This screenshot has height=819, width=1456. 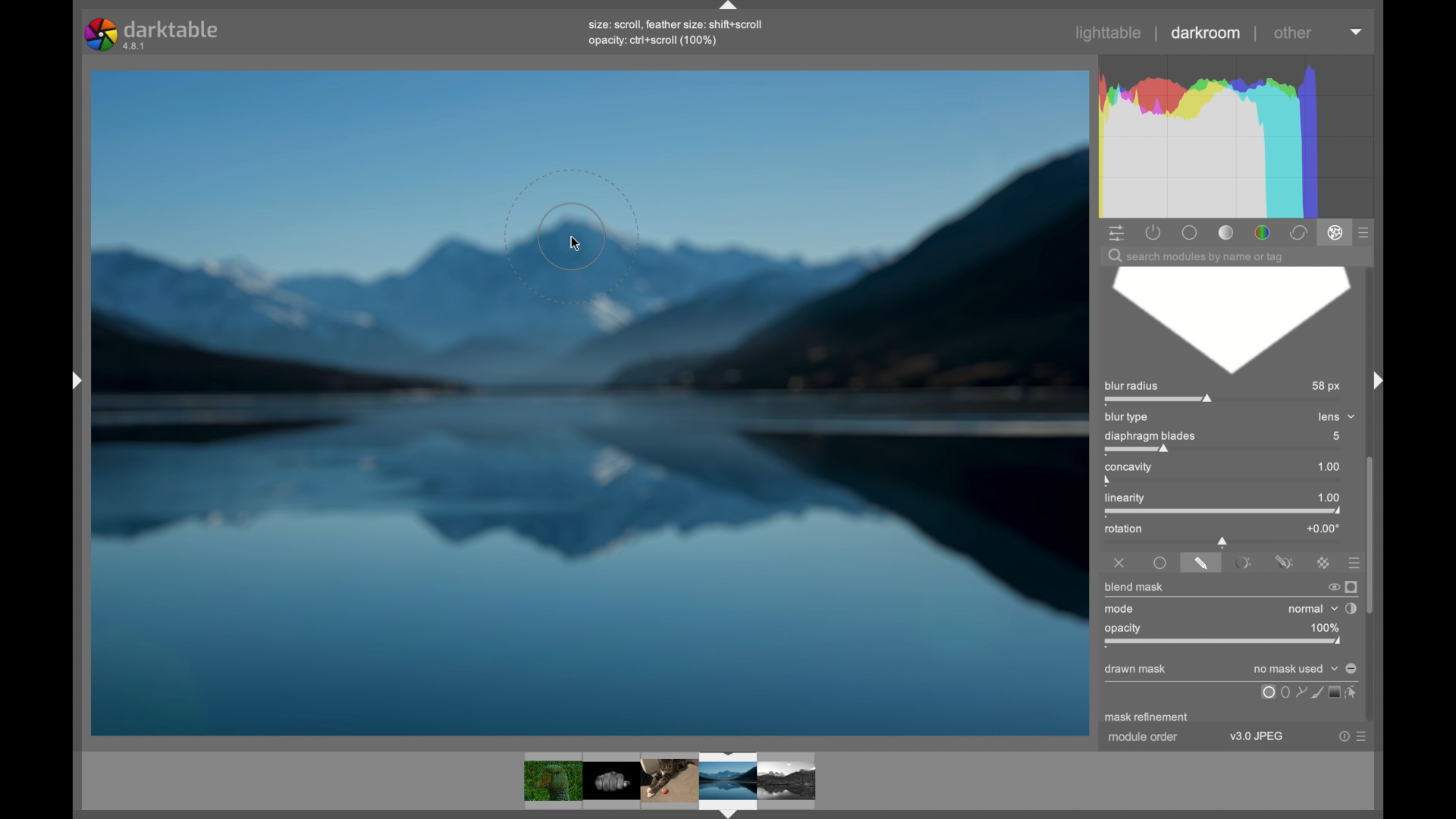 I want to click on base, so click(x=1191, y=232).